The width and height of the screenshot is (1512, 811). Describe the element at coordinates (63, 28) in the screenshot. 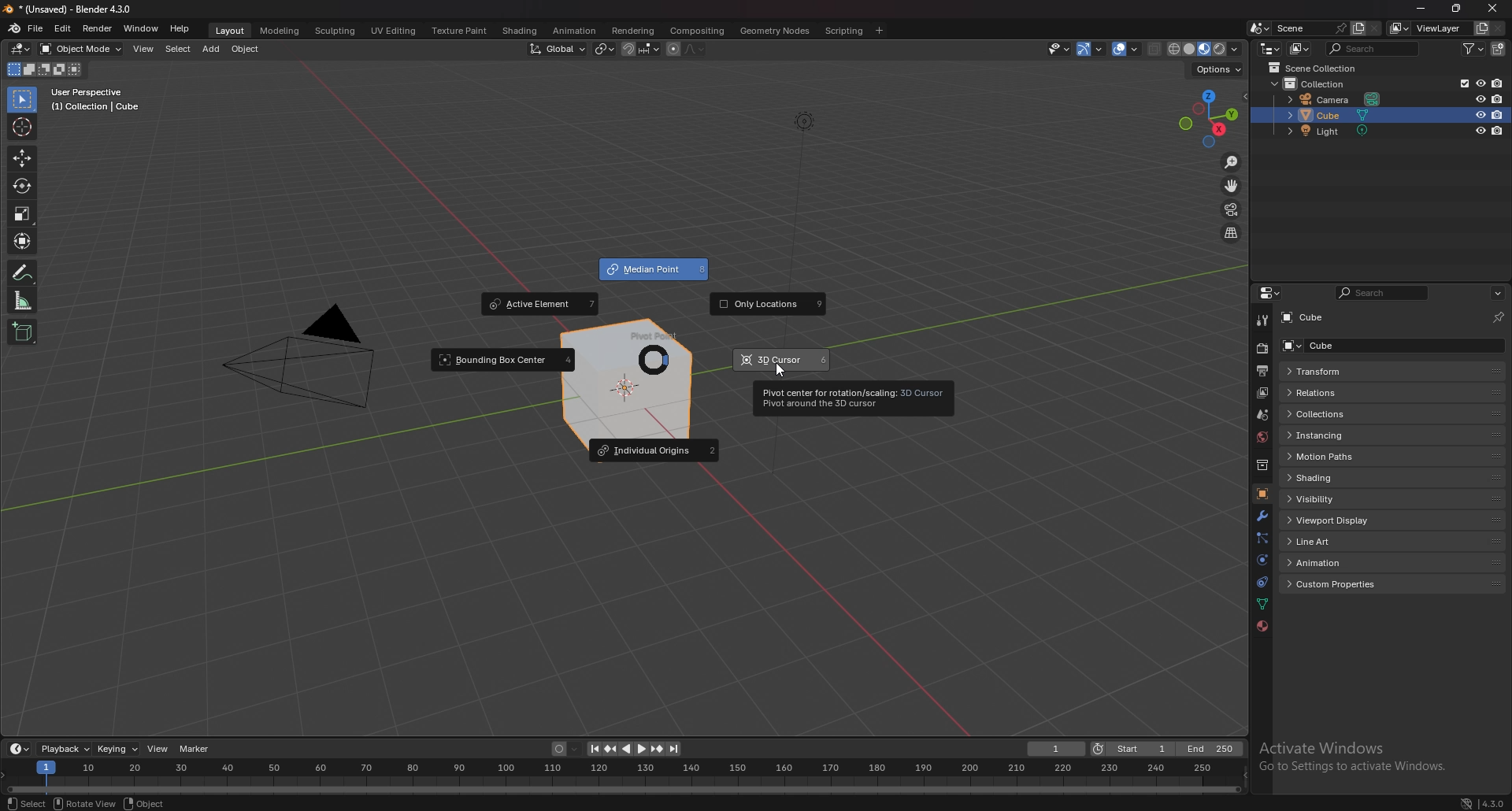

I see `edit` at that location.